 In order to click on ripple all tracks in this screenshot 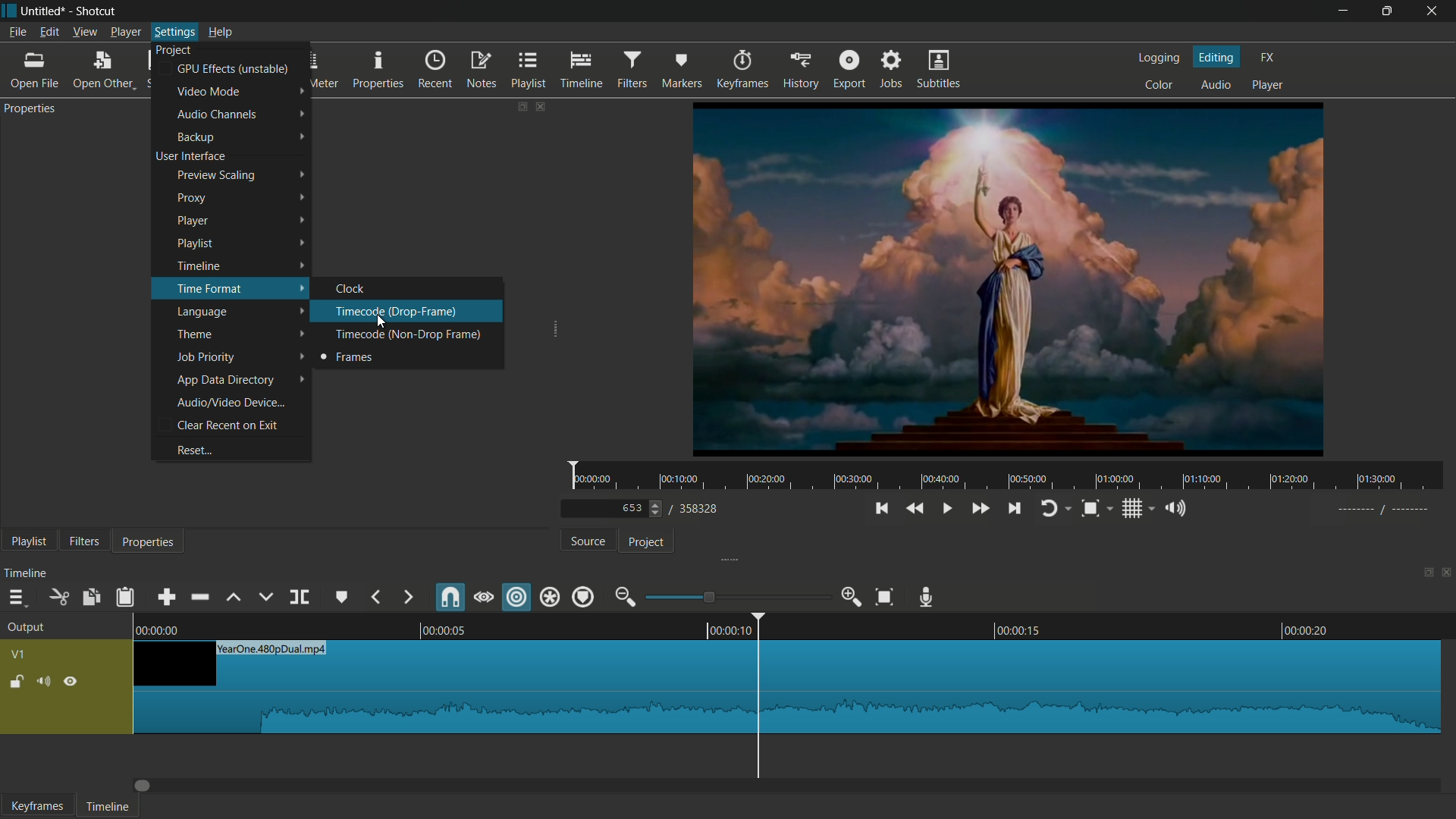, I will do `click(549, 598)`.